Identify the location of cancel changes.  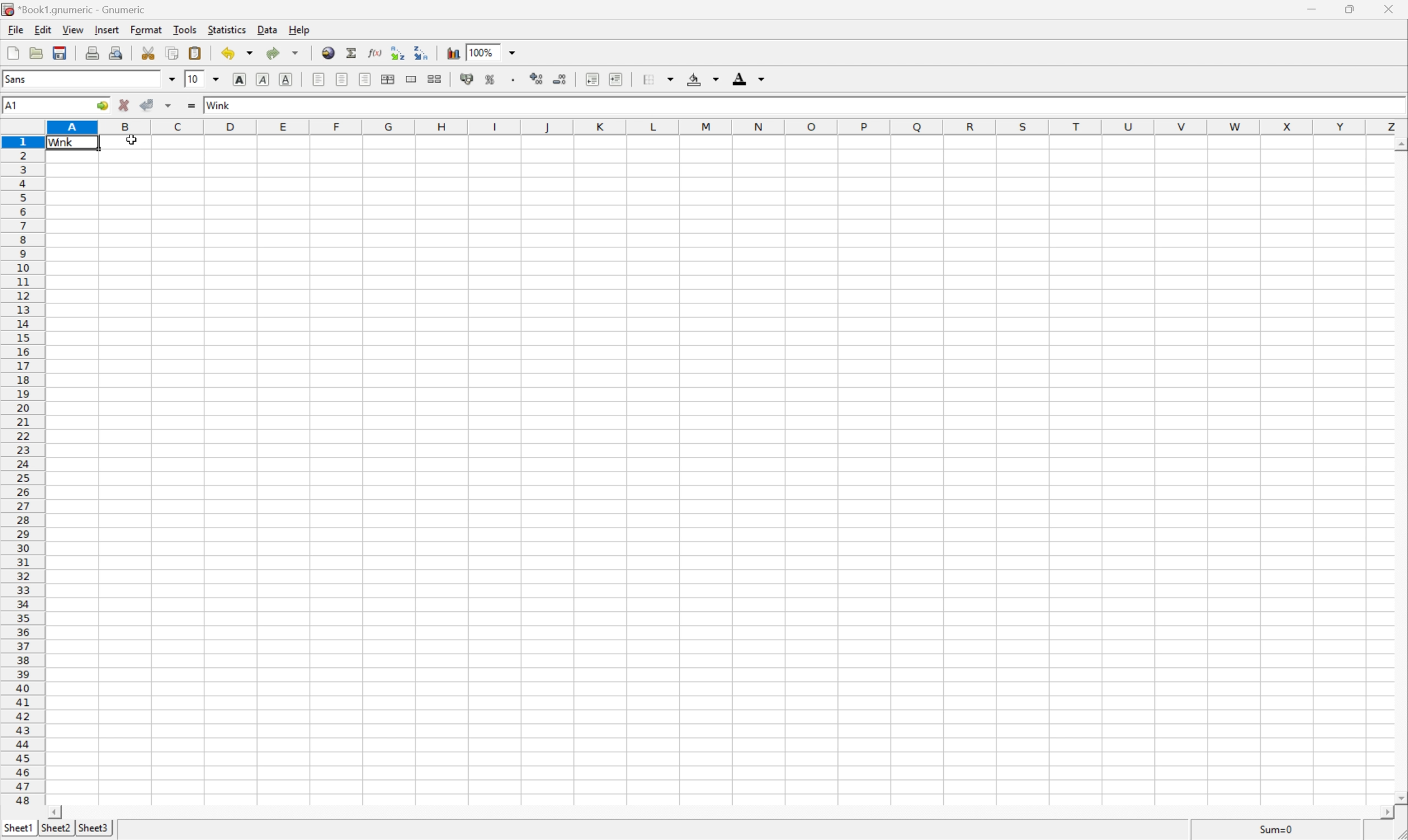
(122, 104).